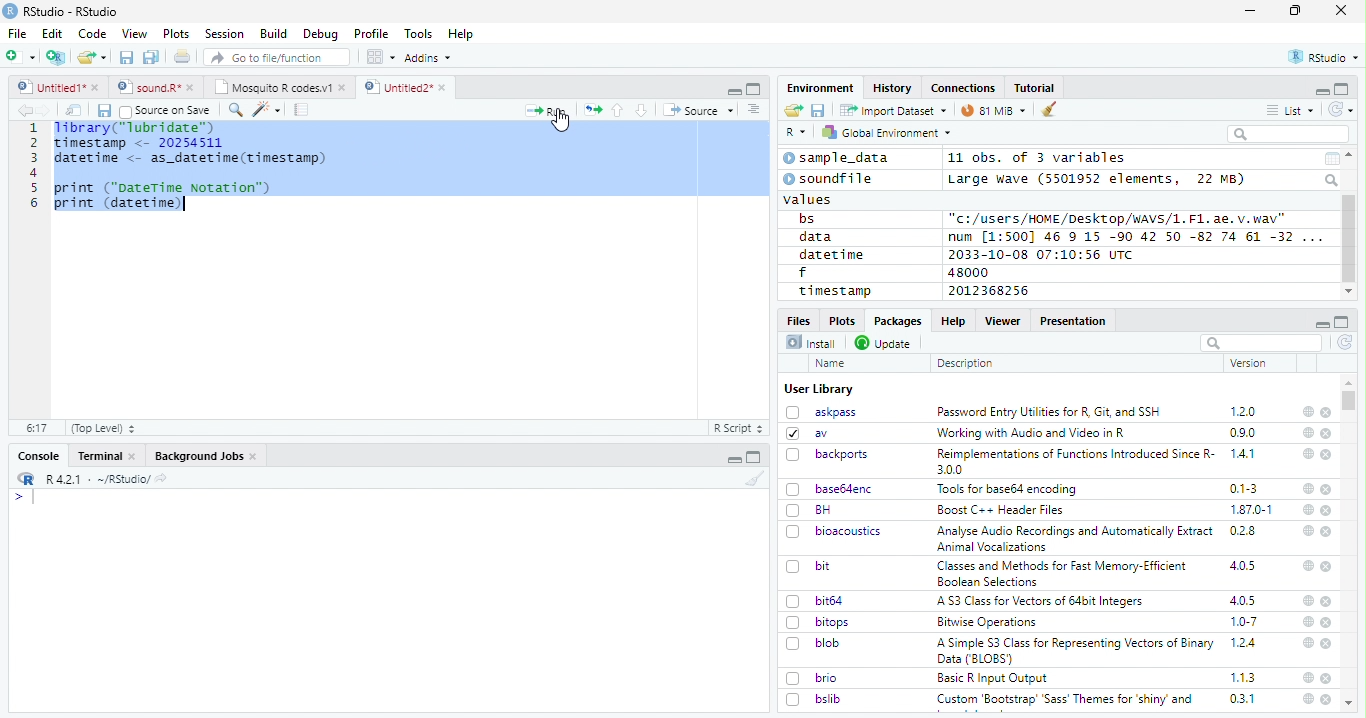  I want to click on scroll up, so click(1351, 155).